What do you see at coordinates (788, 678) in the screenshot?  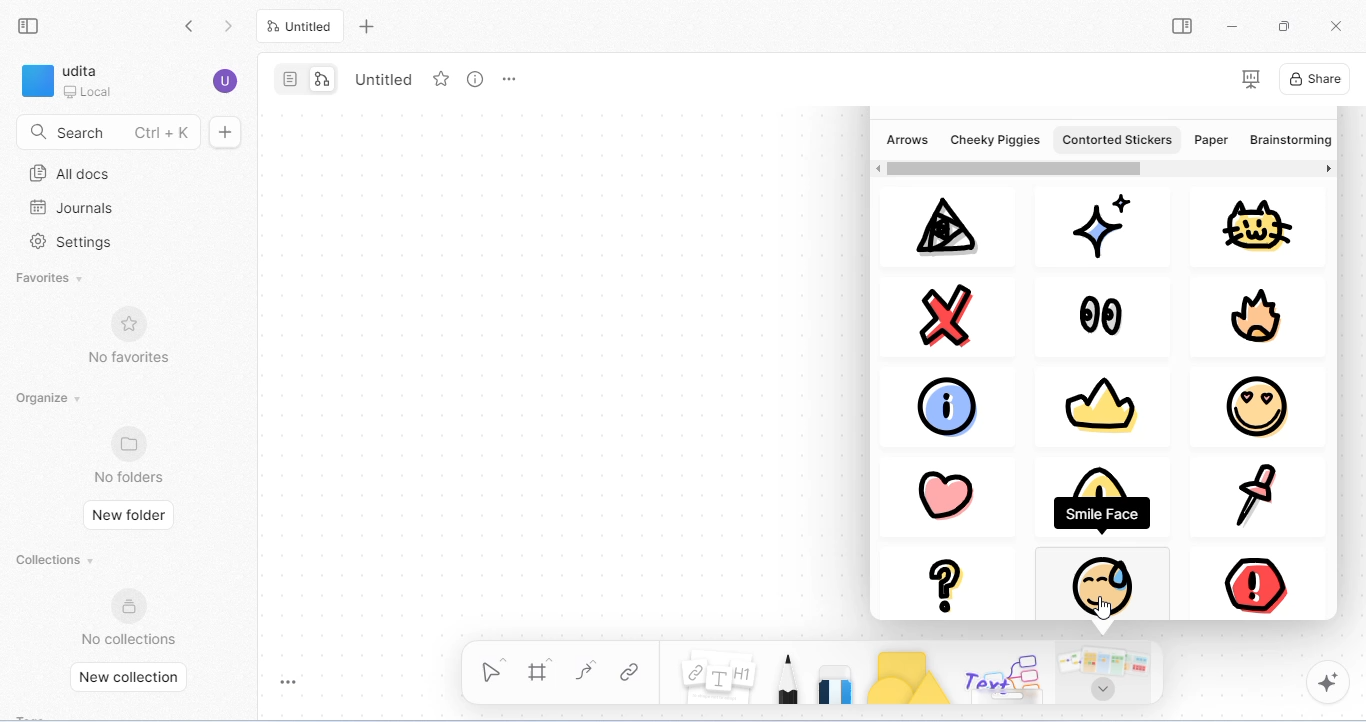 I see `pencil` at bounding box center [788, 678].